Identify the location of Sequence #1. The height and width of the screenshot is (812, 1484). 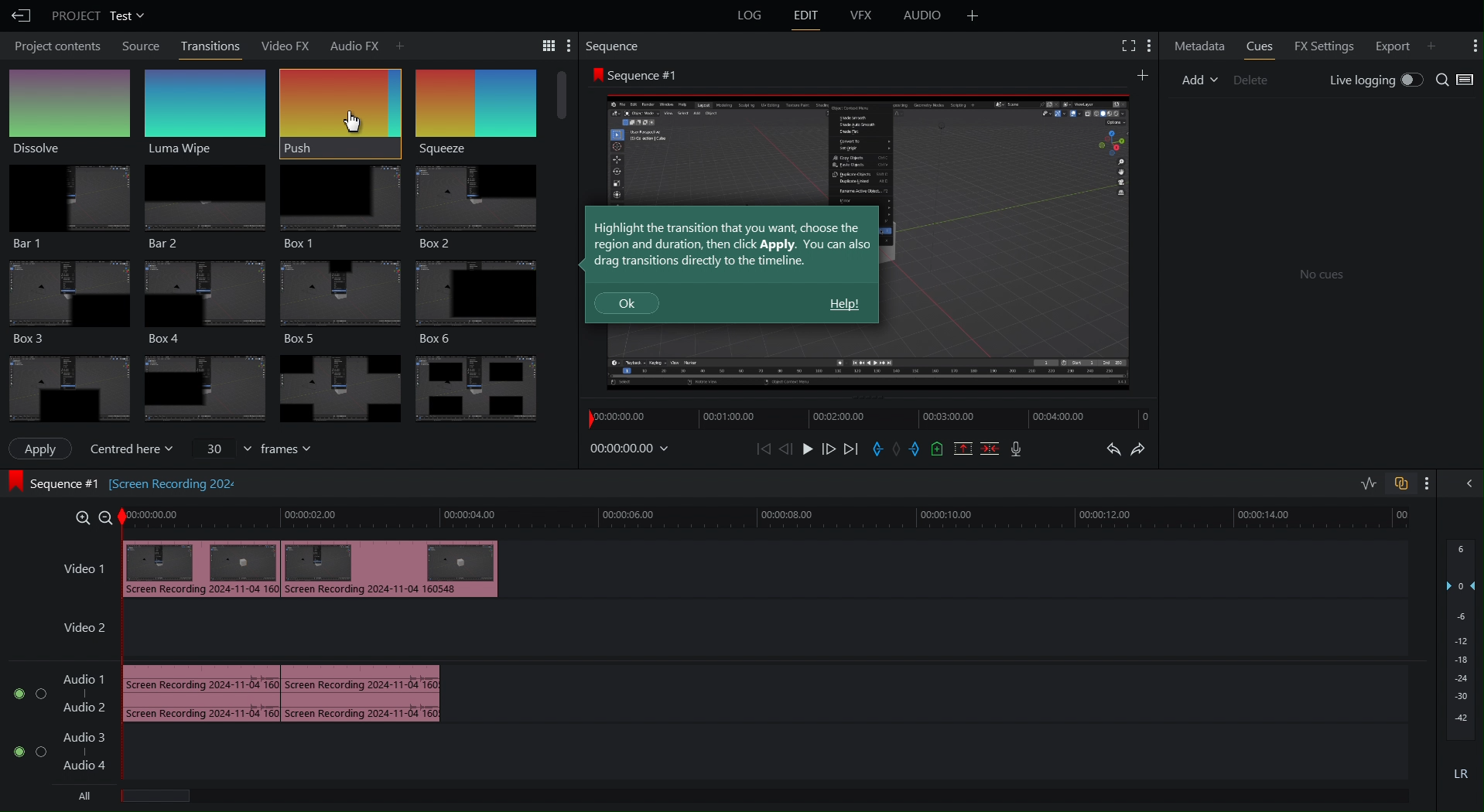
(636, 74).